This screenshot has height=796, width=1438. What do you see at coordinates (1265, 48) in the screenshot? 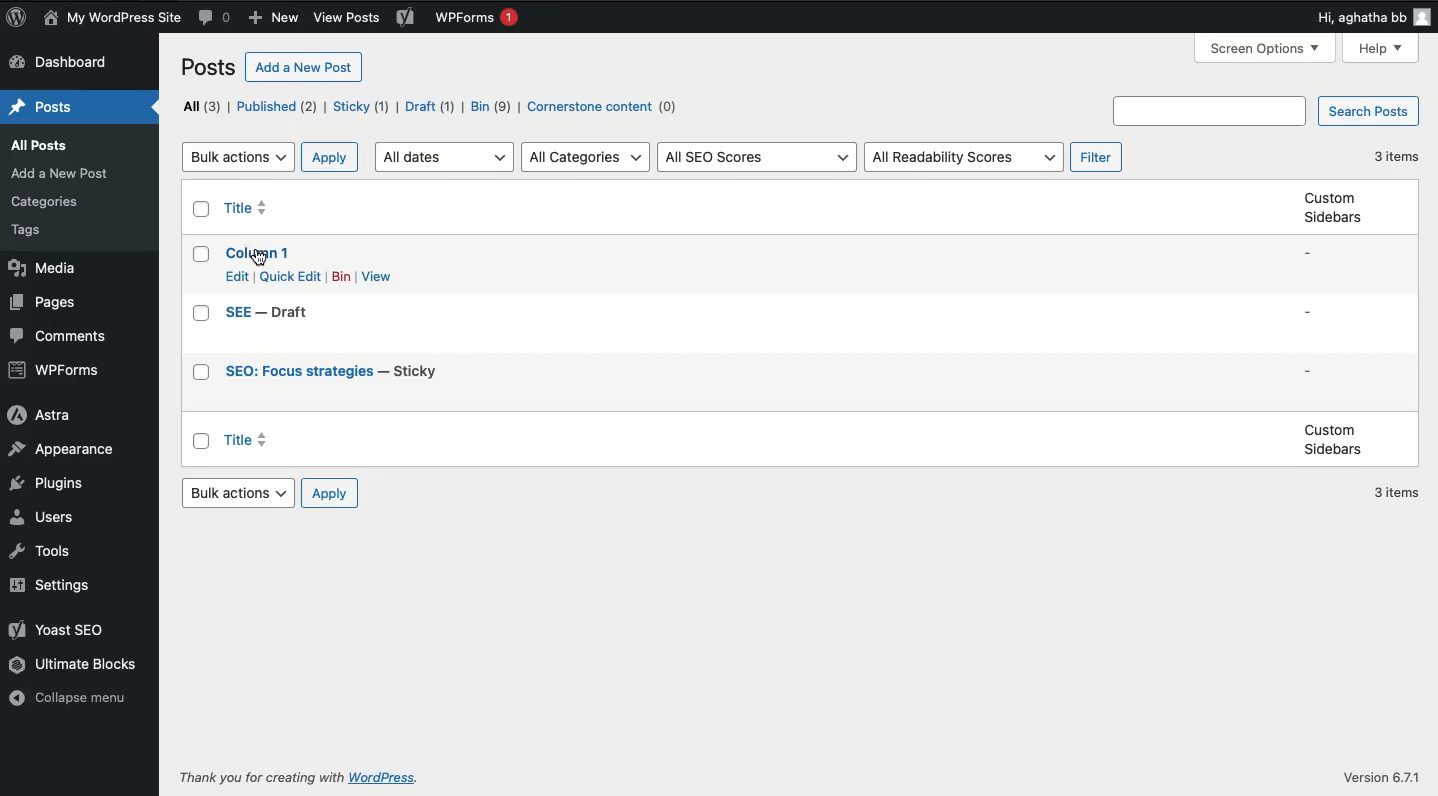
I see `Screen options` at bounding box center [1265, 48].